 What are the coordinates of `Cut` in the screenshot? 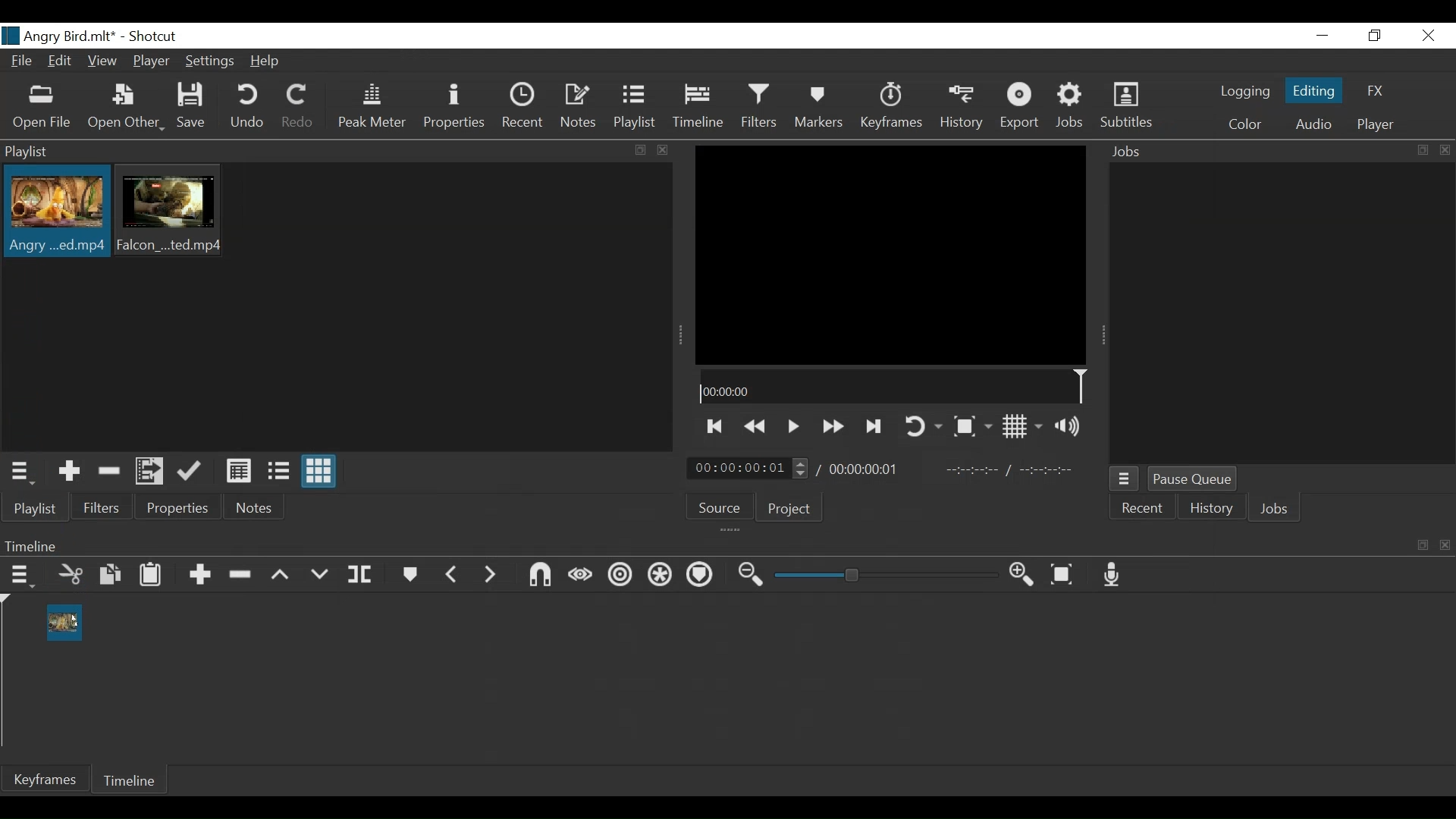 It's located at (71, 574).